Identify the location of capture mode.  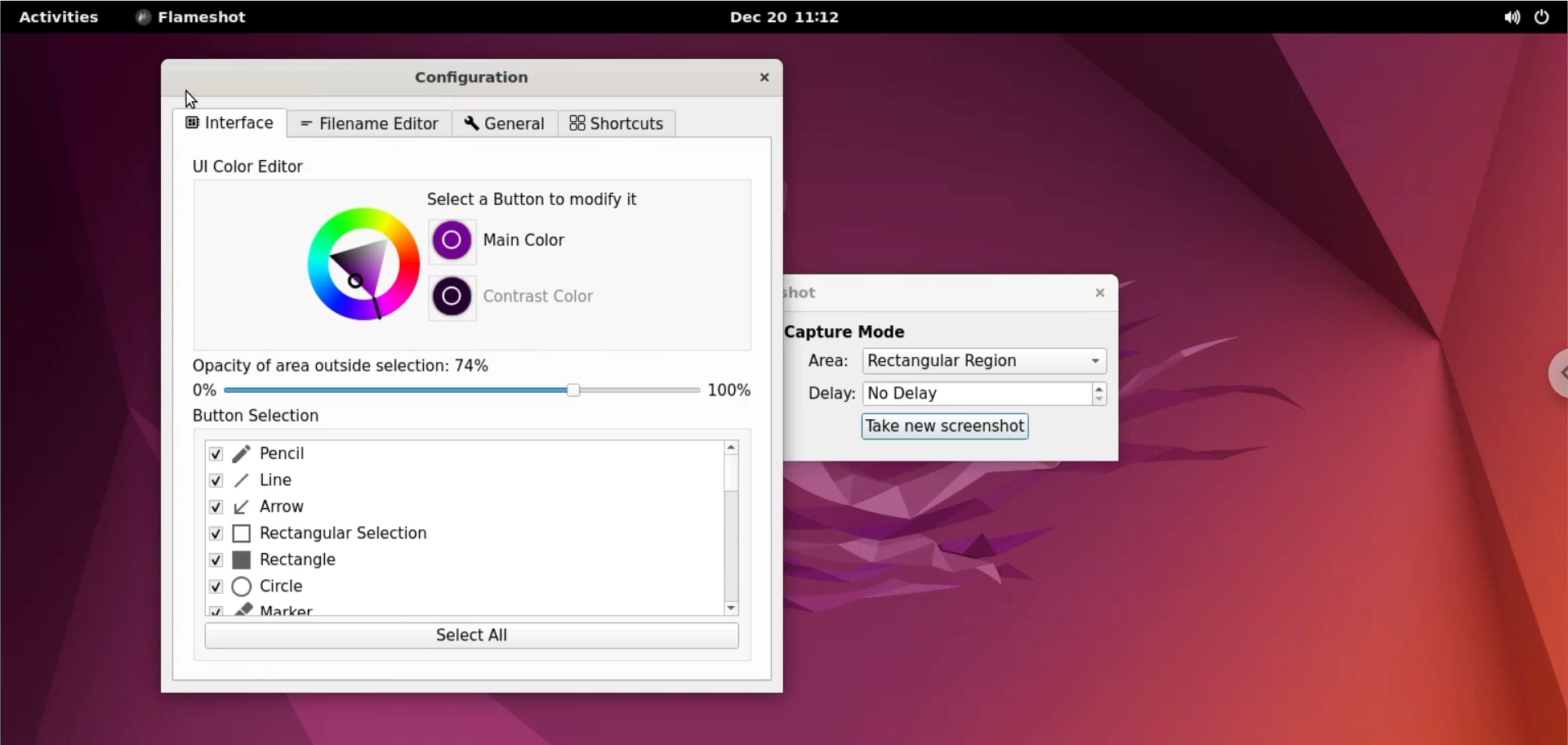
(860, 331).